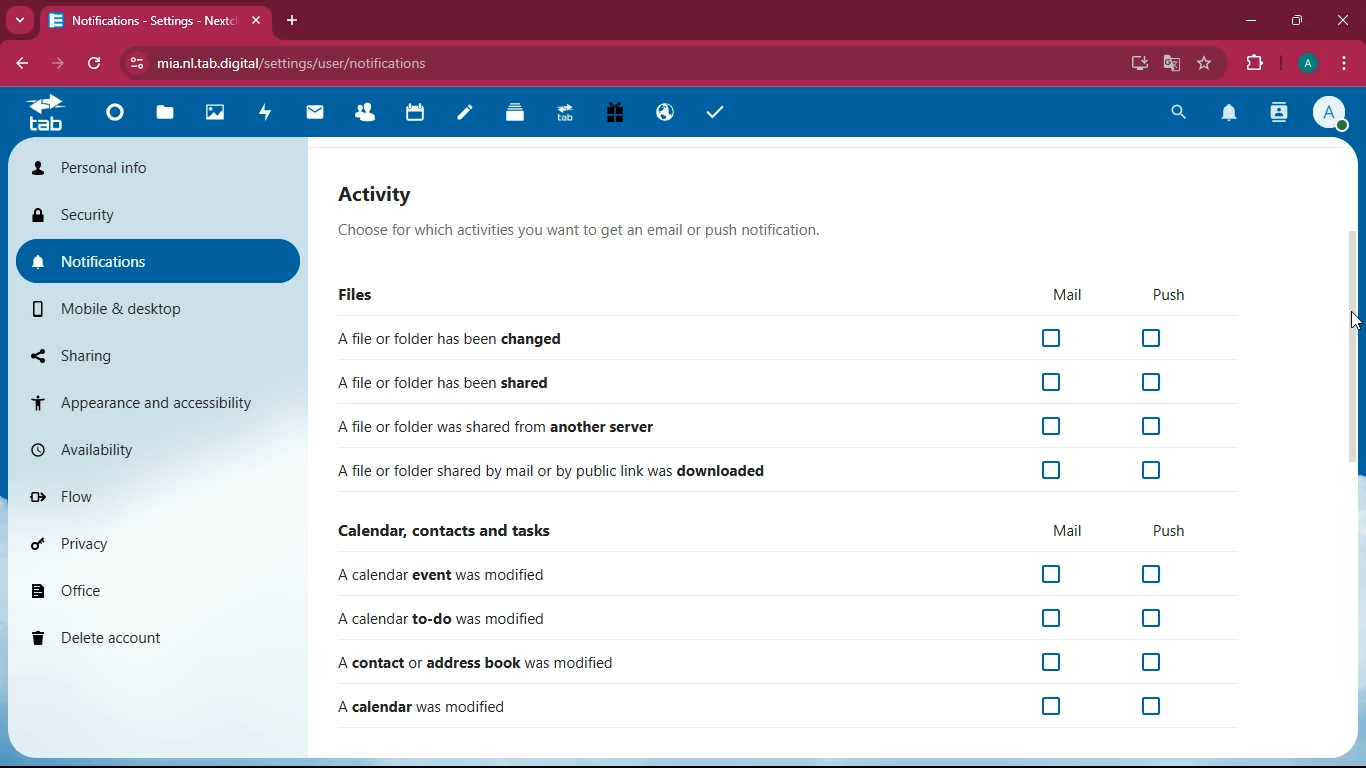 This screenshot has width=1366, height=768. What do you see at coordinates (757, 428) in the screenshot?
I see `A file or folder was shared from another server` at bounding box center [757, 428].